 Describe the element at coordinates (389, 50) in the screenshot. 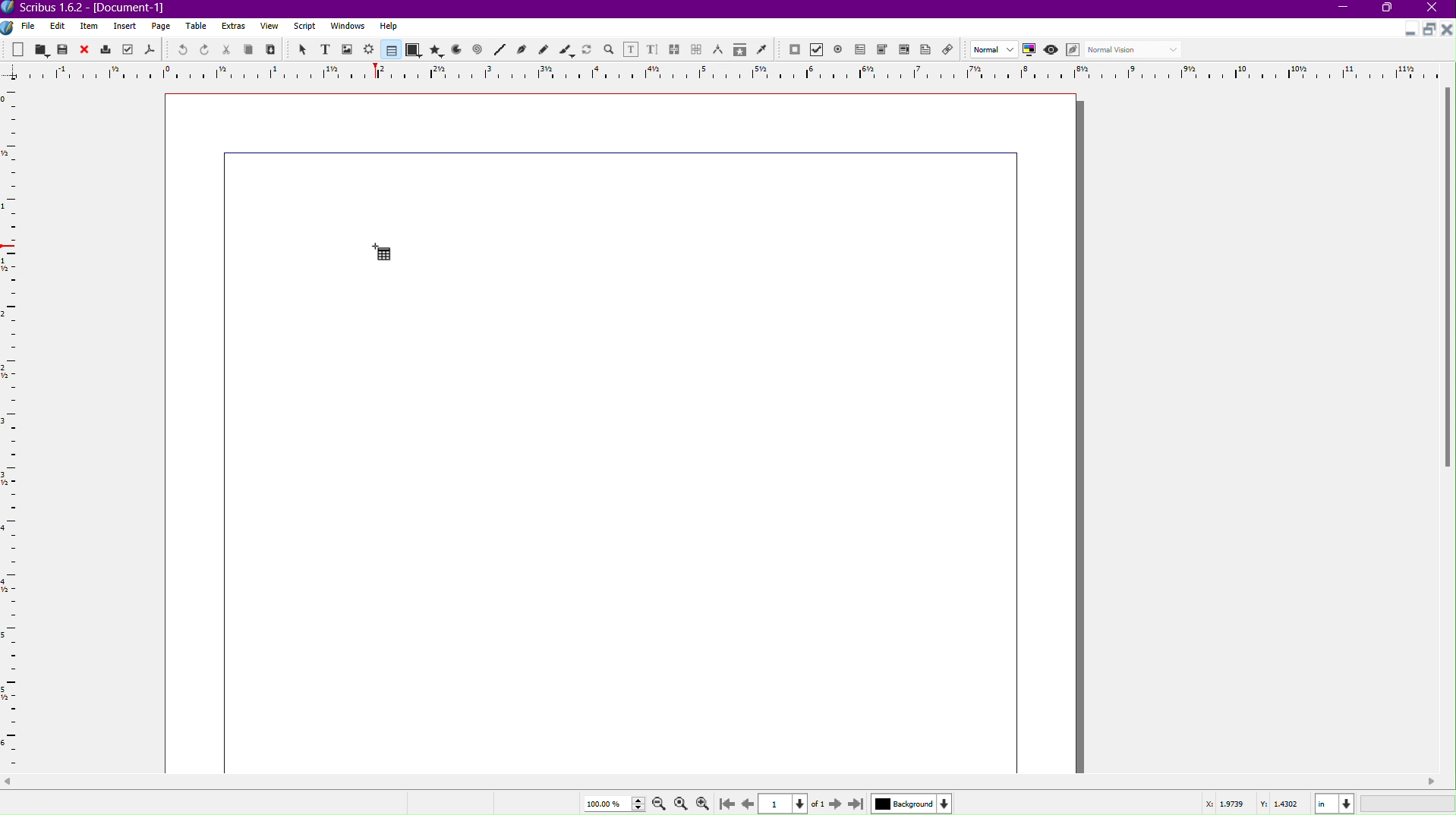

I see `Table` at that location.